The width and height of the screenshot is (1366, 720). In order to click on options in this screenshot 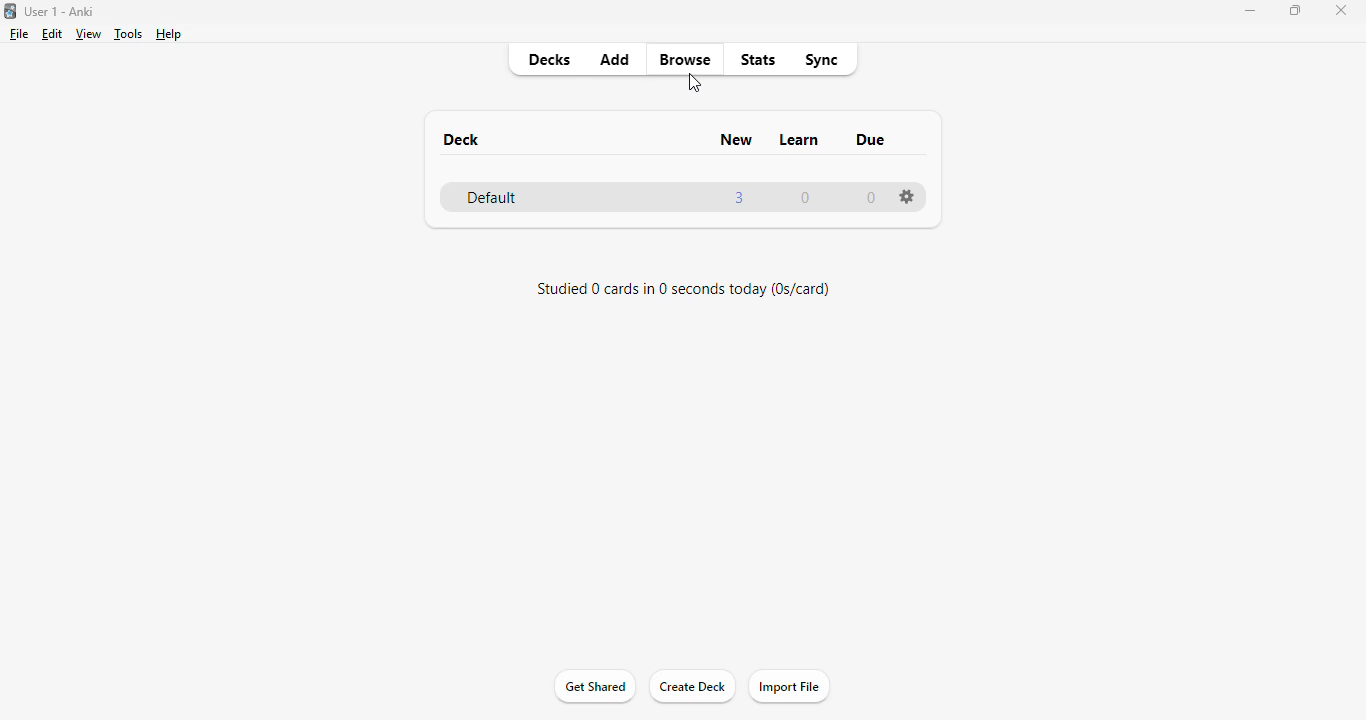, I will do `click(907, 196)`.